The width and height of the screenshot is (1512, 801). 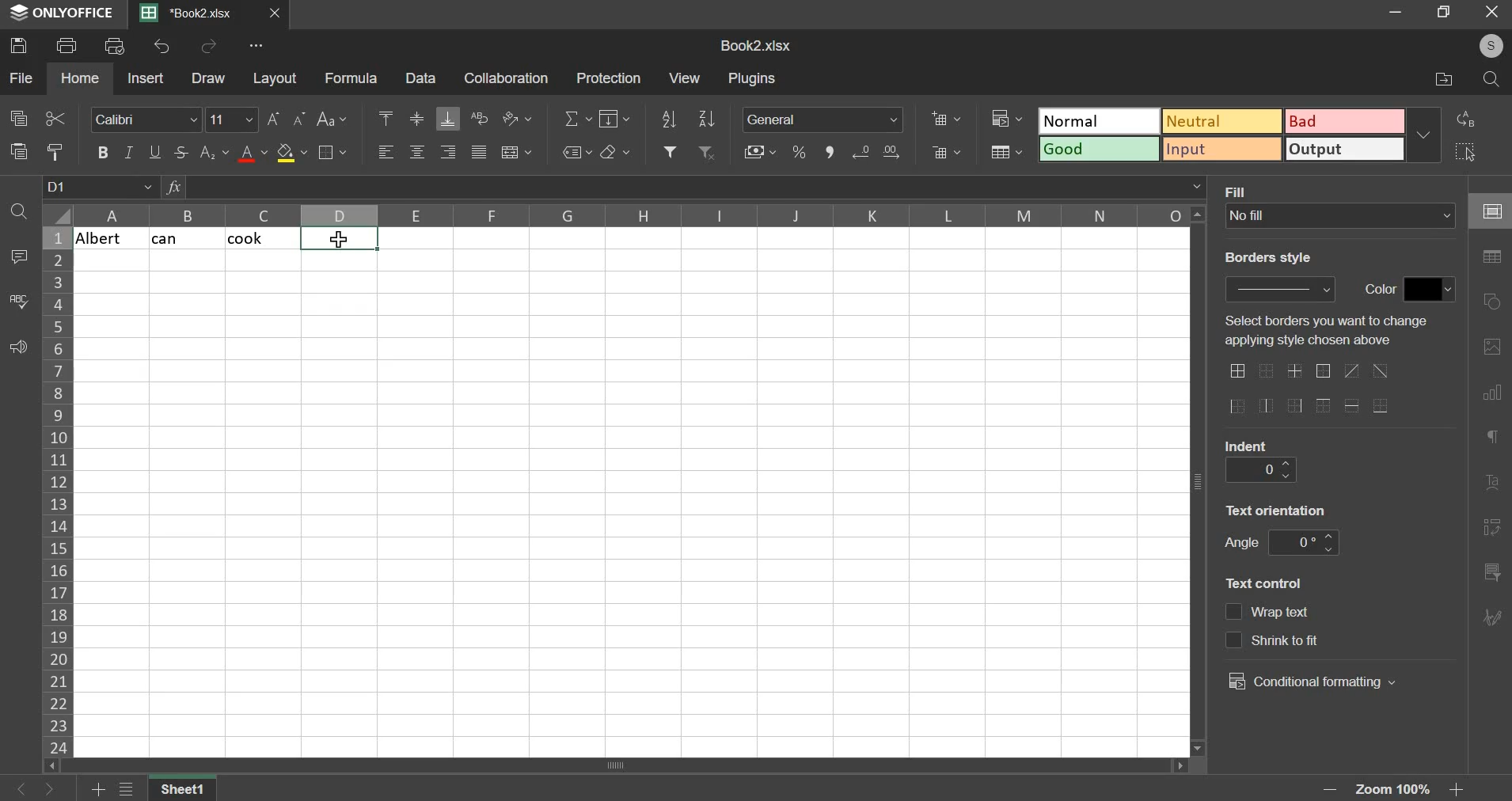 I want to click on decrease decimals, so click(x=892, y=150).